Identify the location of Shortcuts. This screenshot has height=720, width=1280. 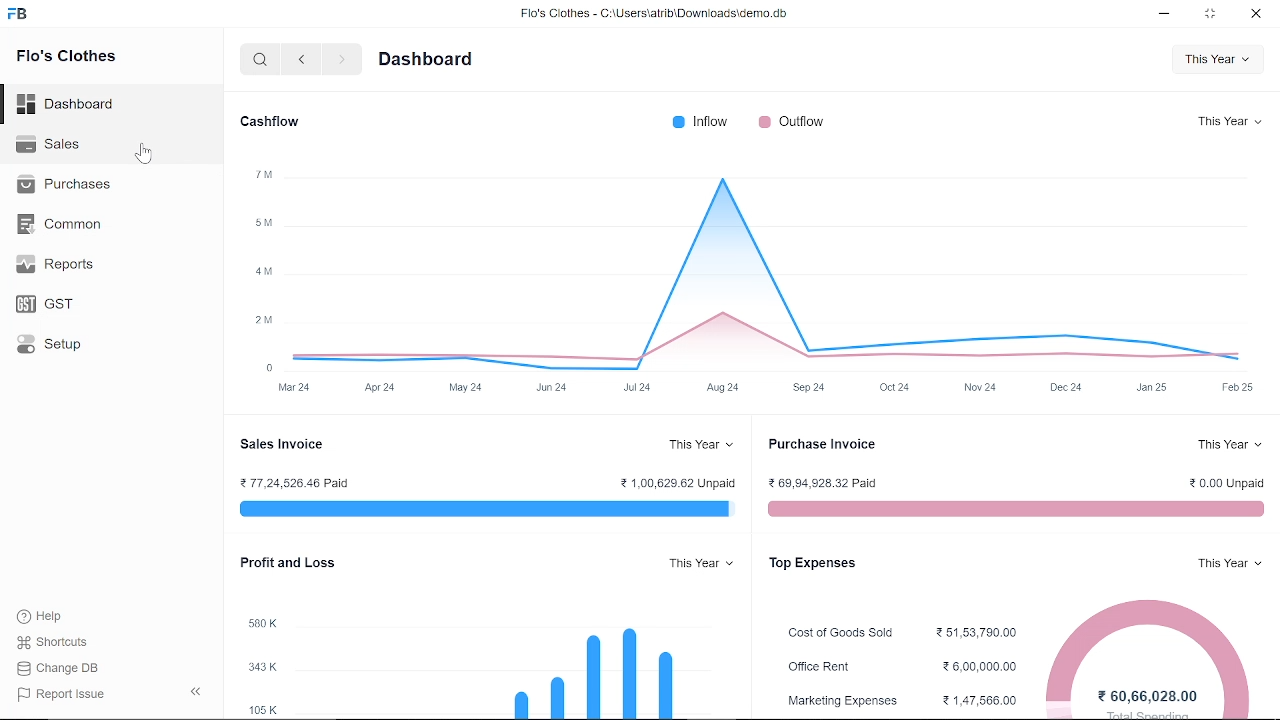
(54, 643).